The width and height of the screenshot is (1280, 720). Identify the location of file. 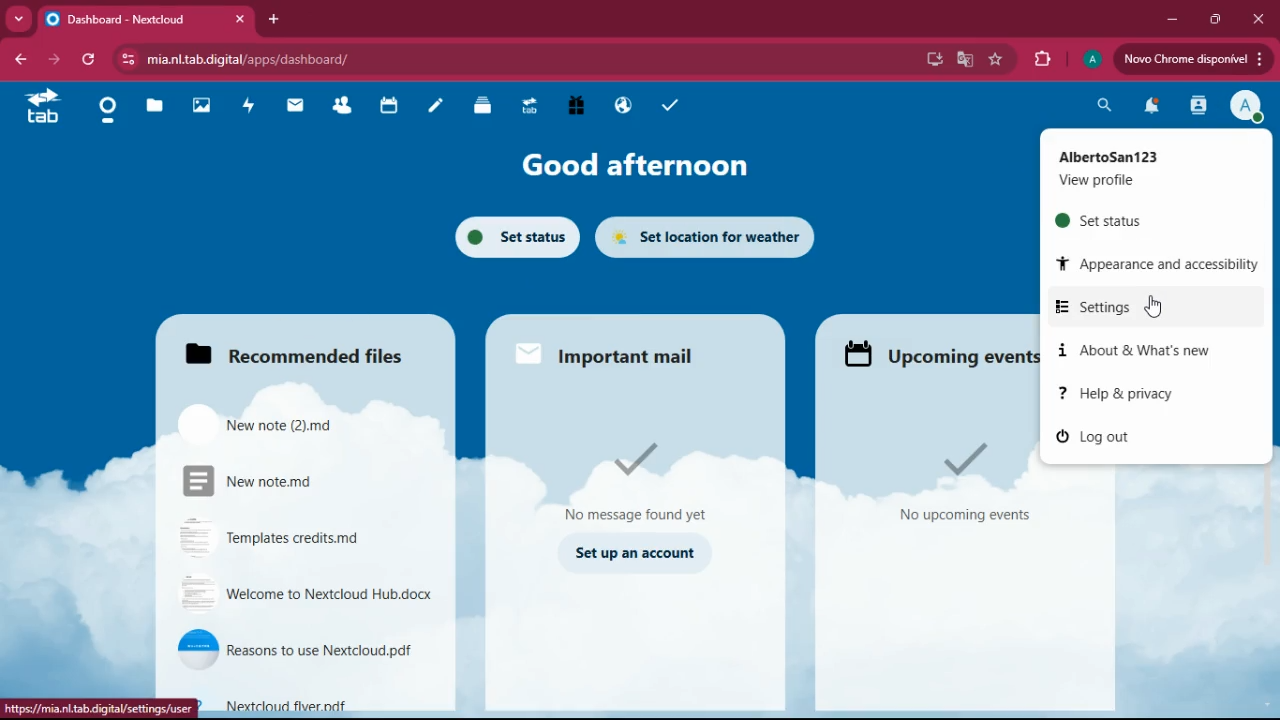
(312, 702).